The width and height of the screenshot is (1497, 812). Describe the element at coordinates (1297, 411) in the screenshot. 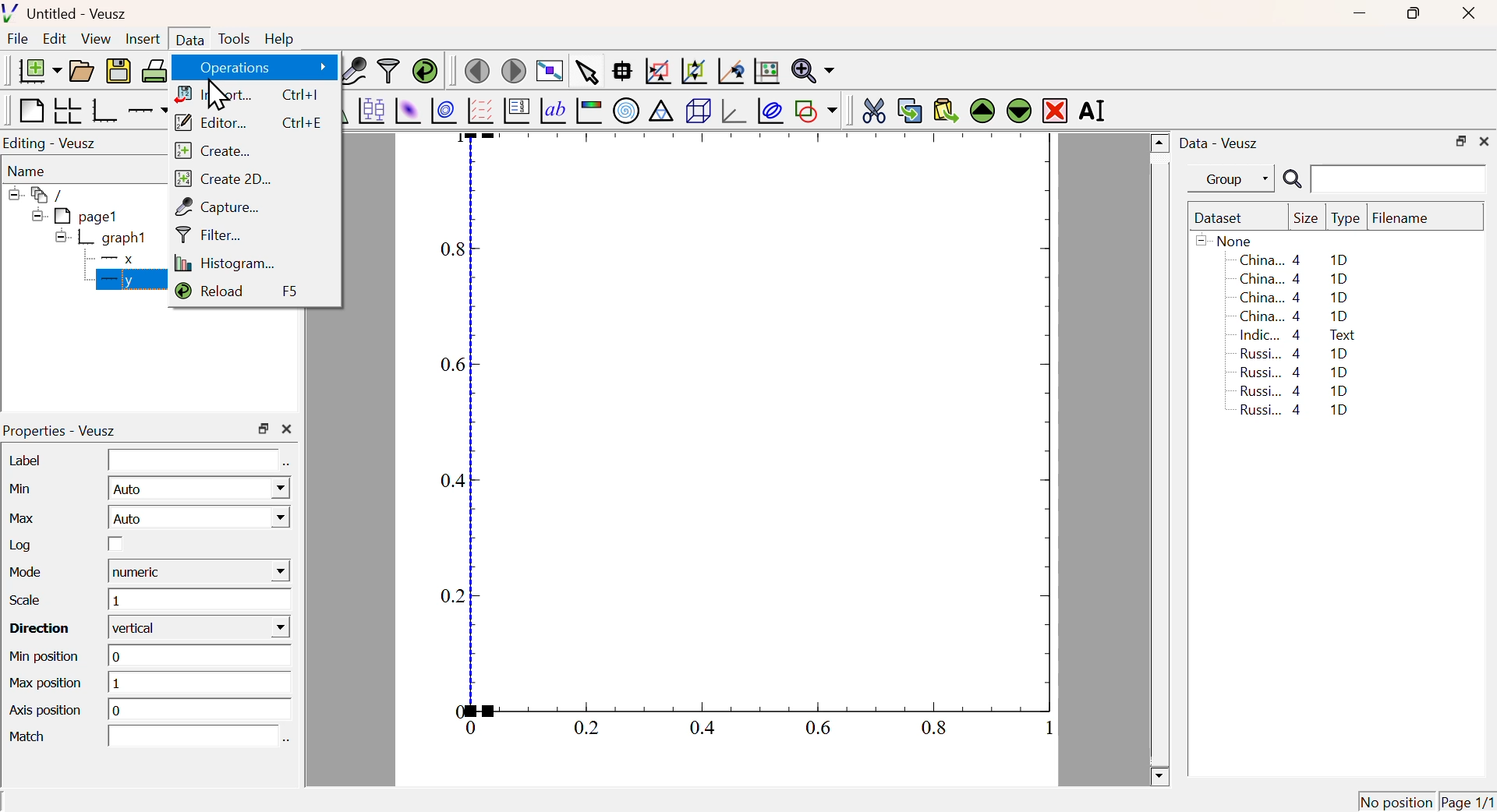

I see `Russi... 4 1D` at that location.